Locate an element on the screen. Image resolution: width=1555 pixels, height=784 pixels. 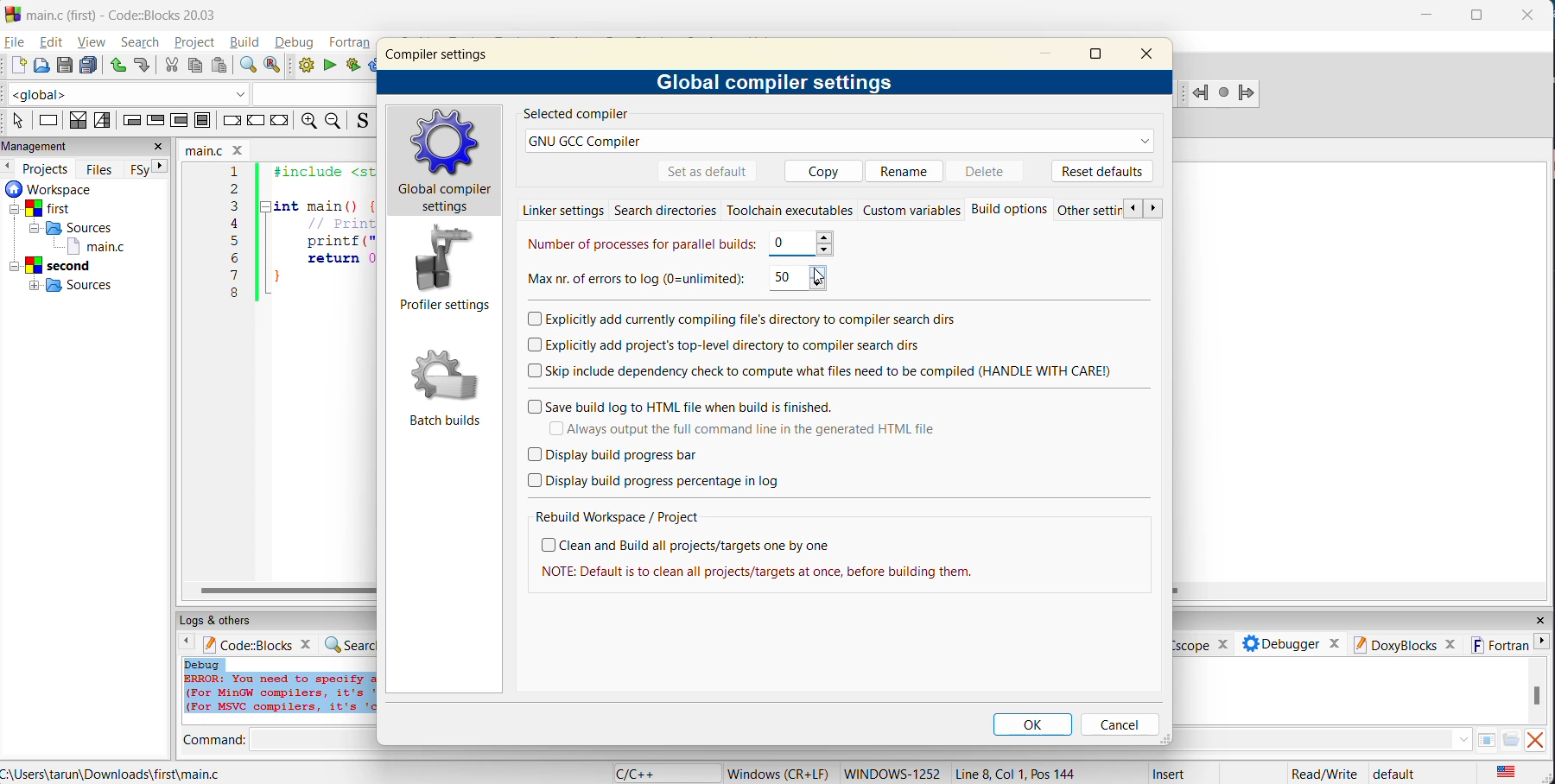
selection is located at coordinates (101, 121).